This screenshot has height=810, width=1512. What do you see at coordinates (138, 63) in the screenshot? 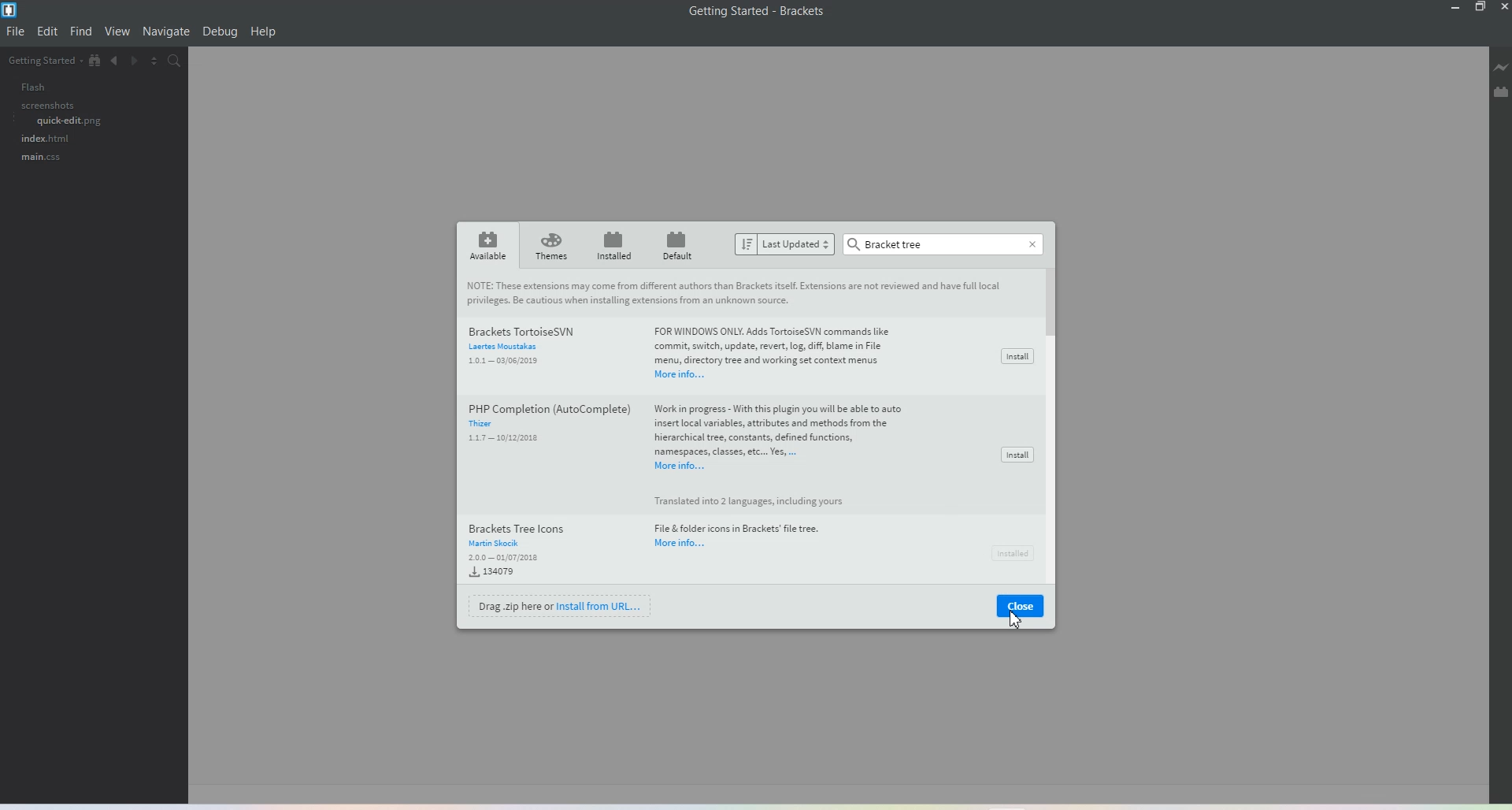
I see `Navigate Forwards` at bounding box center [138, 63].